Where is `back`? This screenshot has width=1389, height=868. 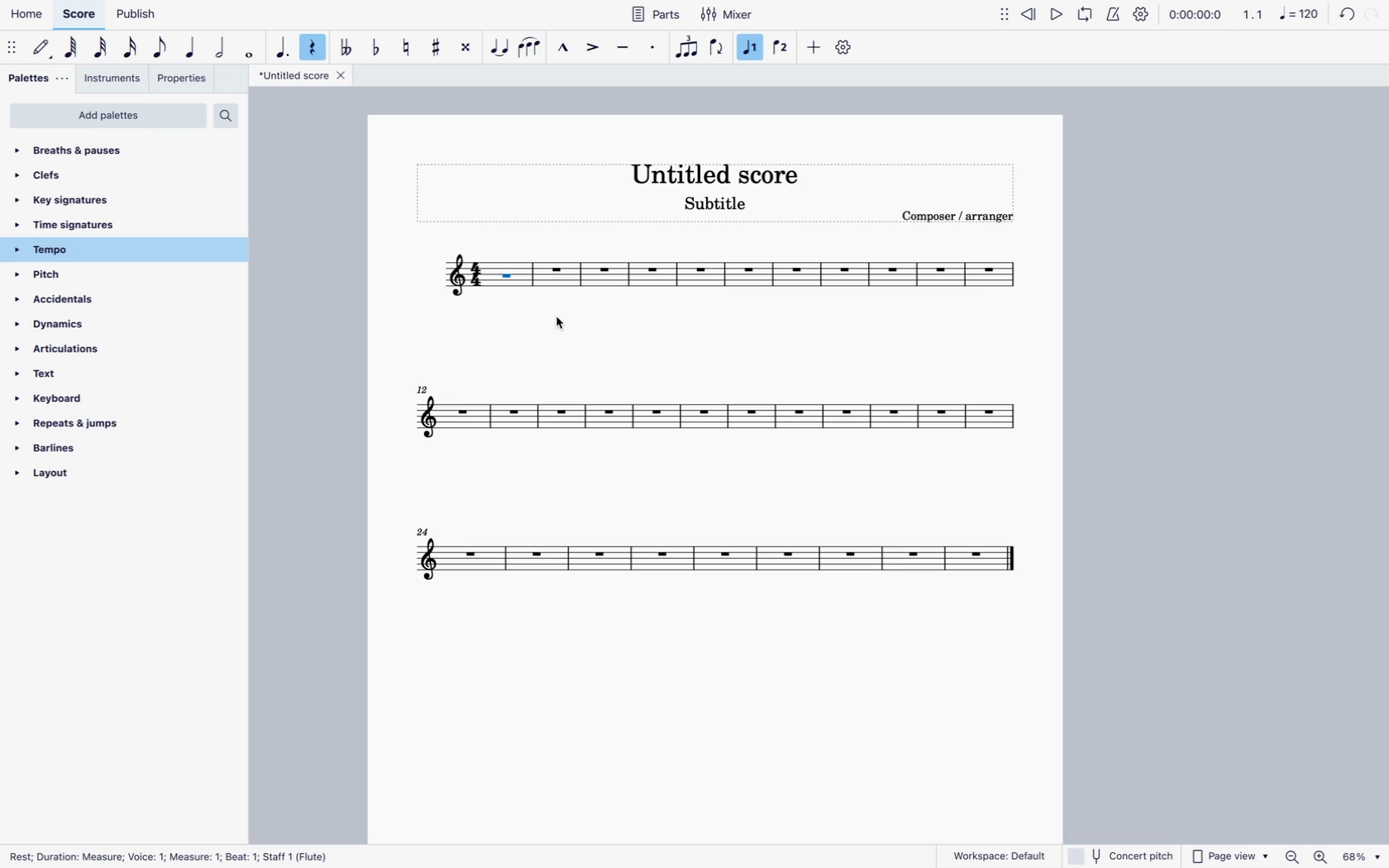 back is located at coordinates (1344, 17).